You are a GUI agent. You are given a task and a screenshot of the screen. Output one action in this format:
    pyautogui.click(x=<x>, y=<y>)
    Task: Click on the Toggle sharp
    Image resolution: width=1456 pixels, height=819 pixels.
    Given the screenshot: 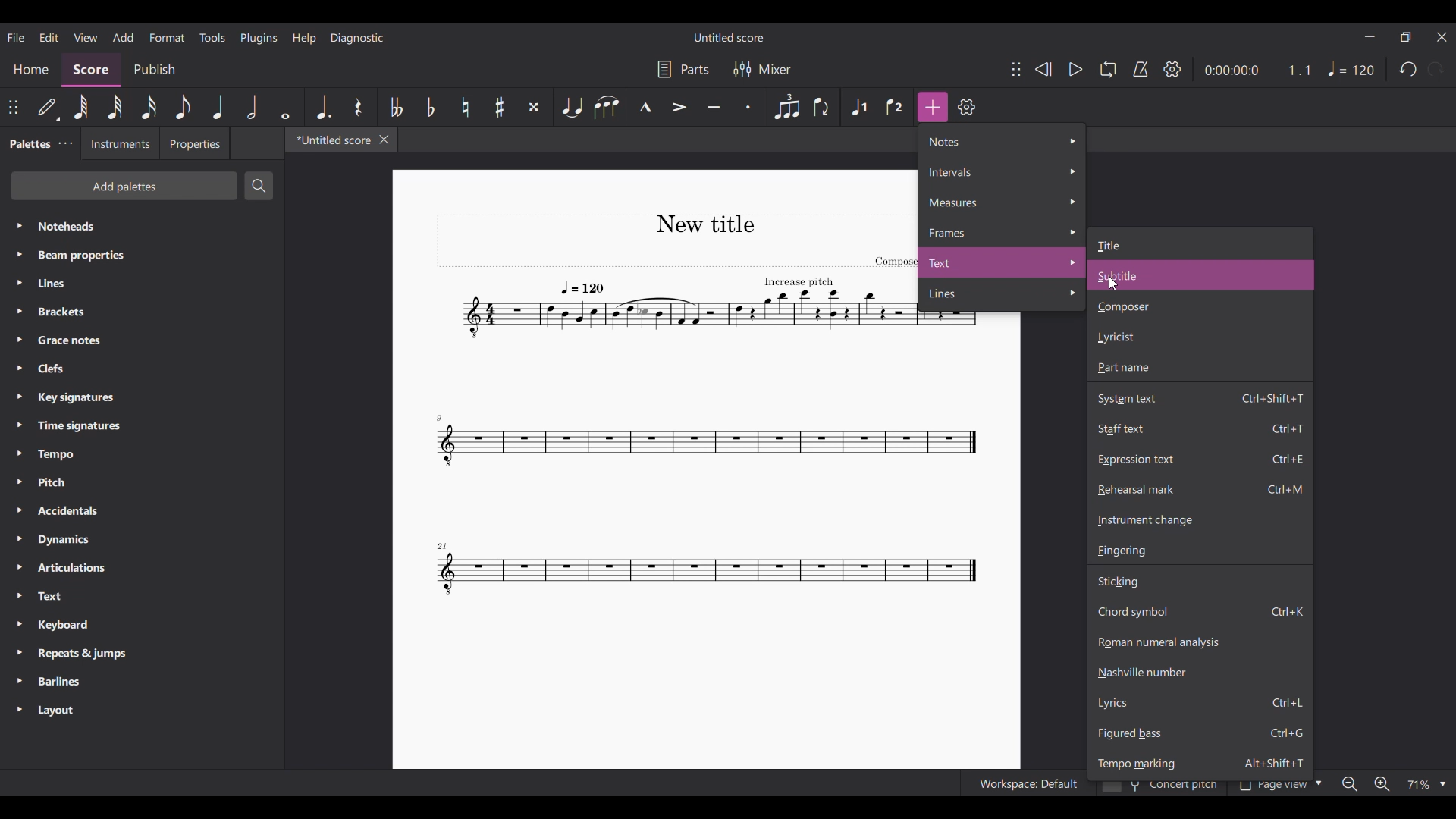 What is the action you would take?
    pyautogui.click(x=500, y=108)
    